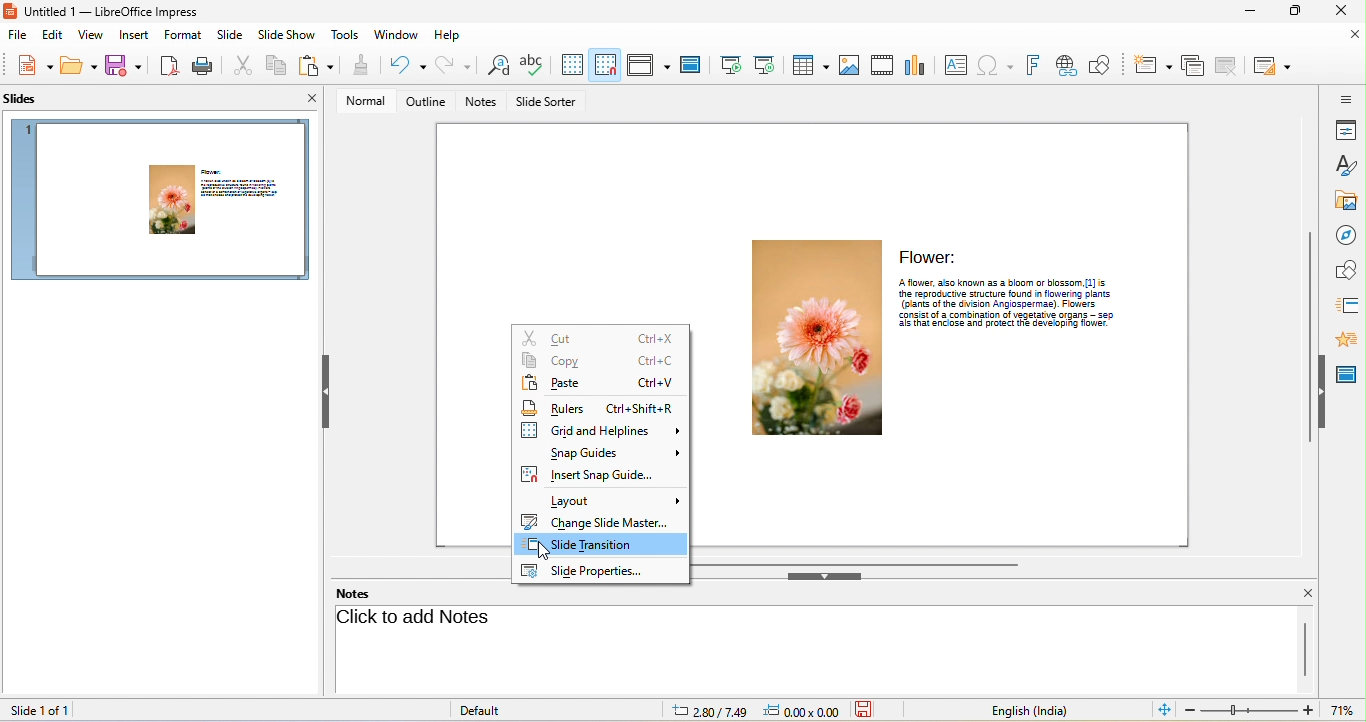  I want to click on master slide, so click(692, 65).